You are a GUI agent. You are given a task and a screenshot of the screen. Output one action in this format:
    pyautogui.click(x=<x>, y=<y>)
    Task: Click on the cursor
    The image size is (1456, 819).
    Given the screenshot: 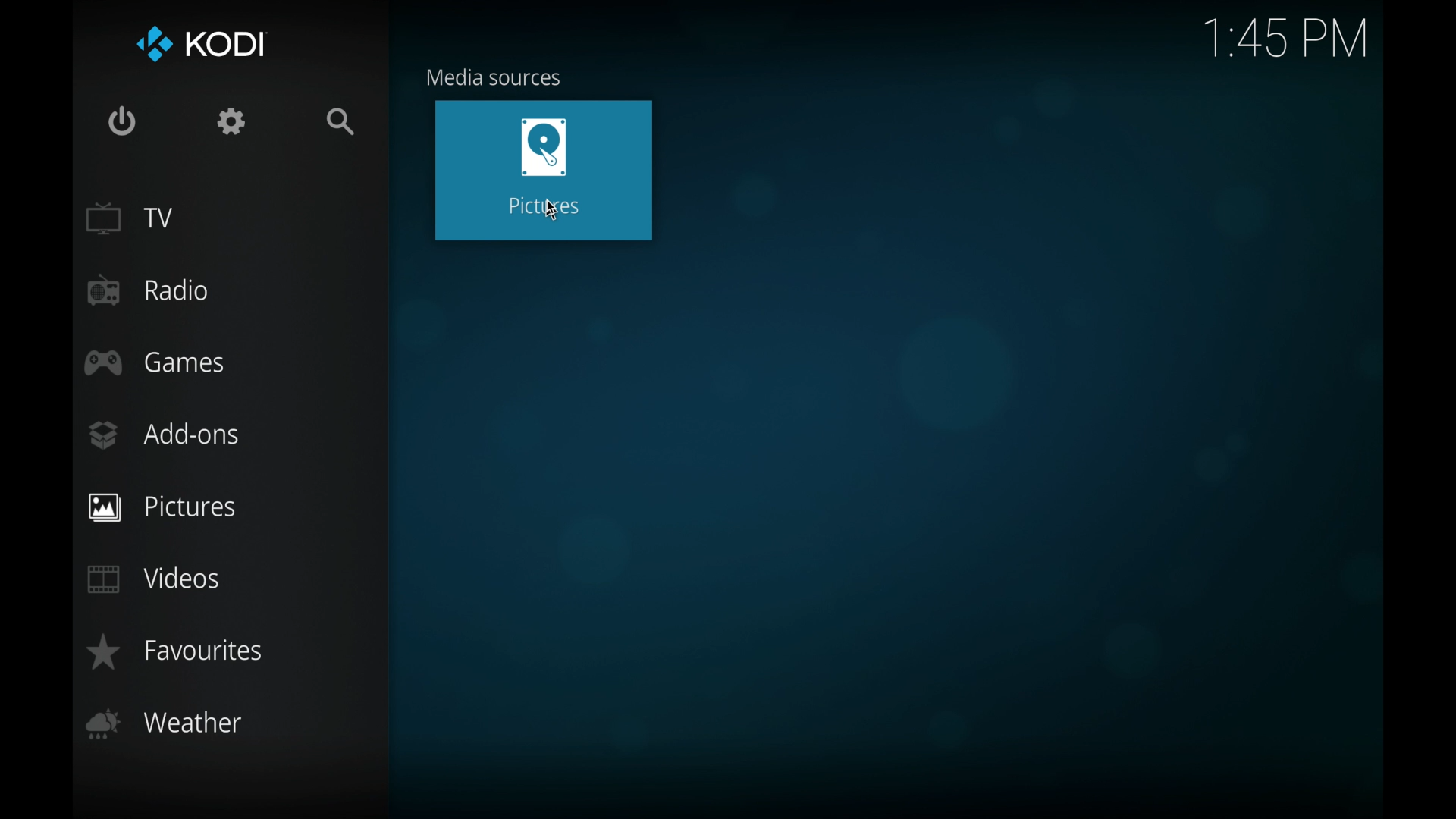 What is the action you would take?
    pyautogui.click(x=551, y=212)
    